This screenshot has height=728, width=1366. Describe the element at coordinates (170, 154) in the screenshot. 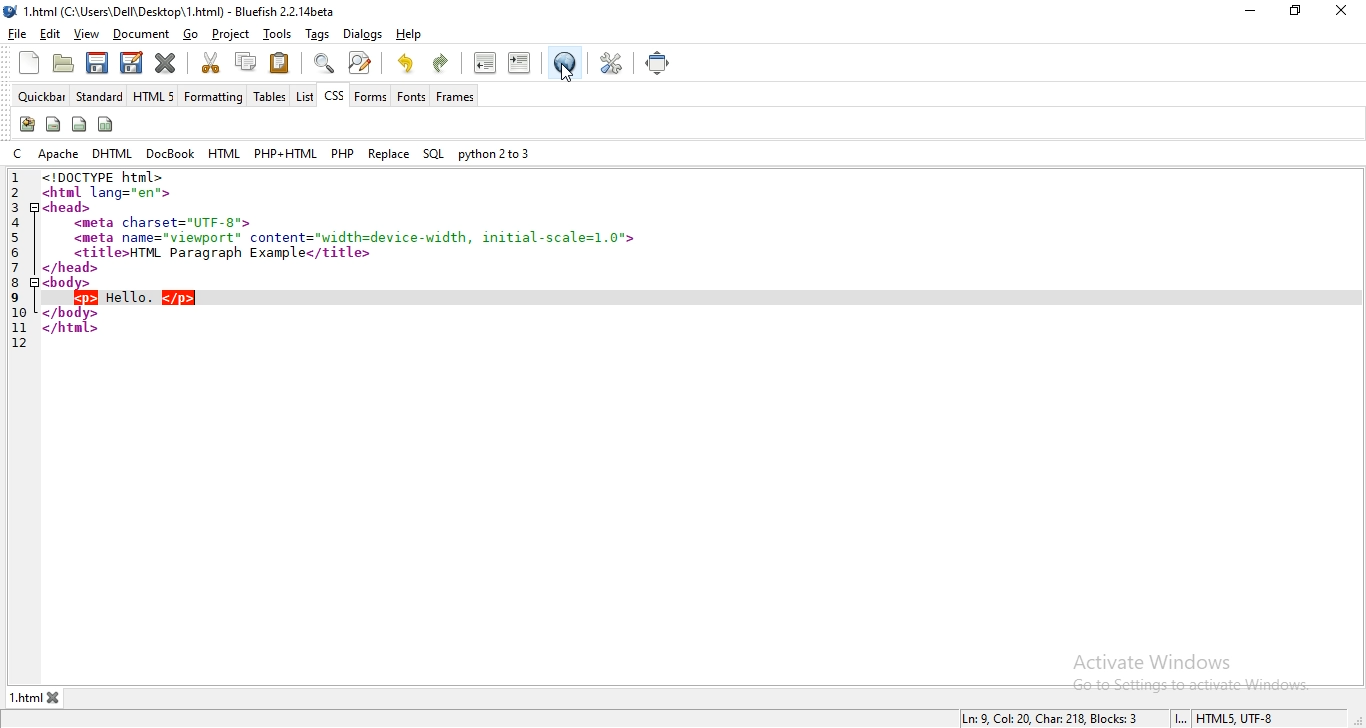

I see `docbook` at that location.